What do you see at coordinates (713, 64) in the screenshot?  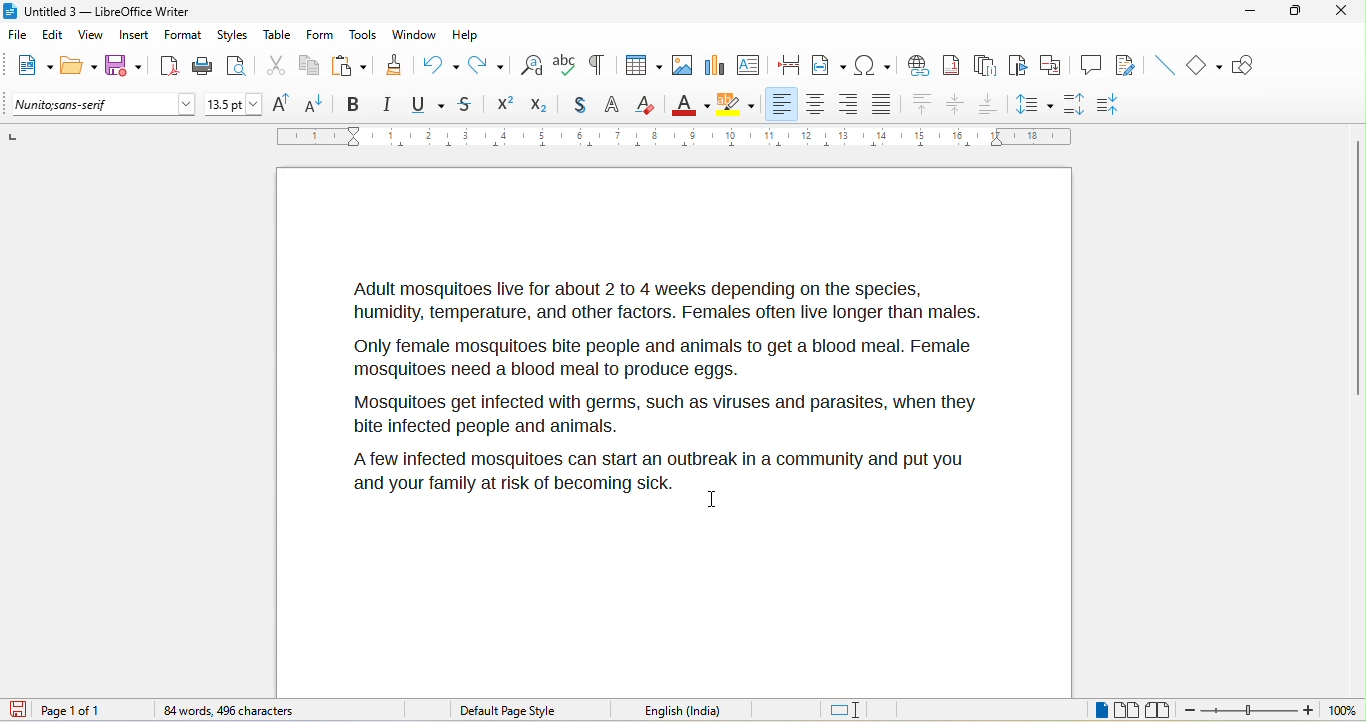 I see `chart` at bounding box center [713, 64].